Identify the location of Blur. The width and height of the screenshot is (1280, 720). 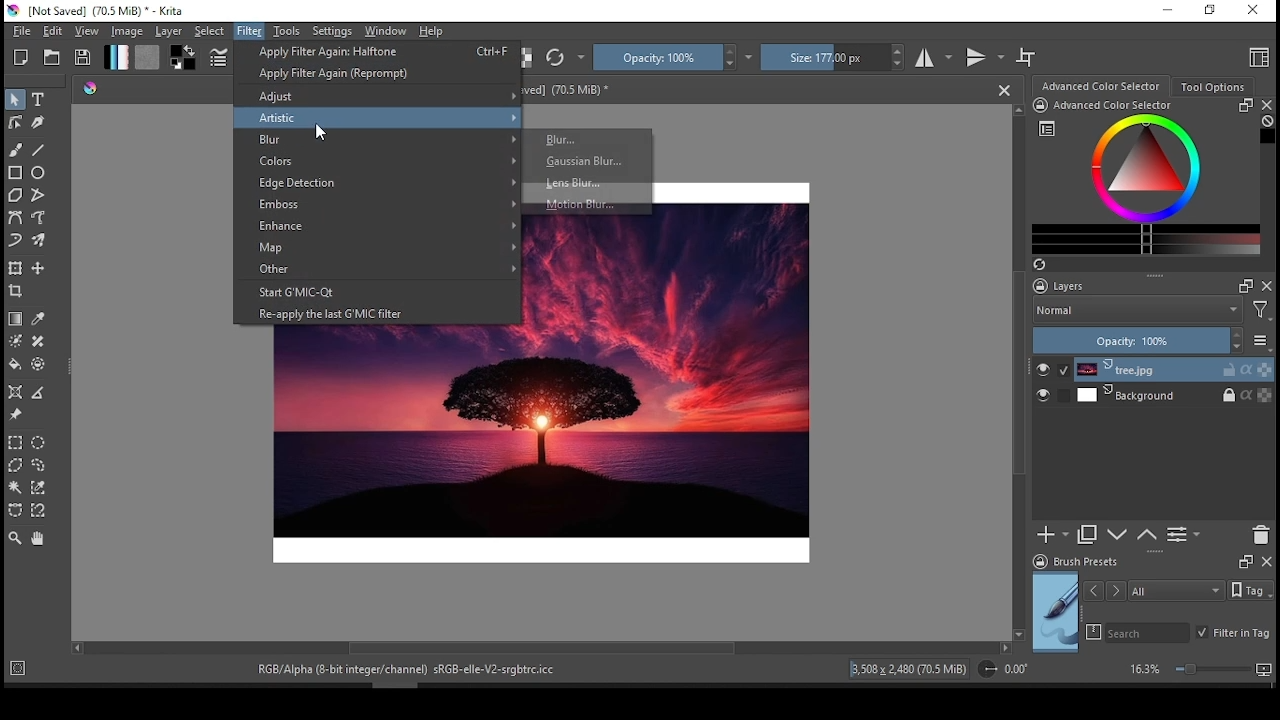
(589, 139).